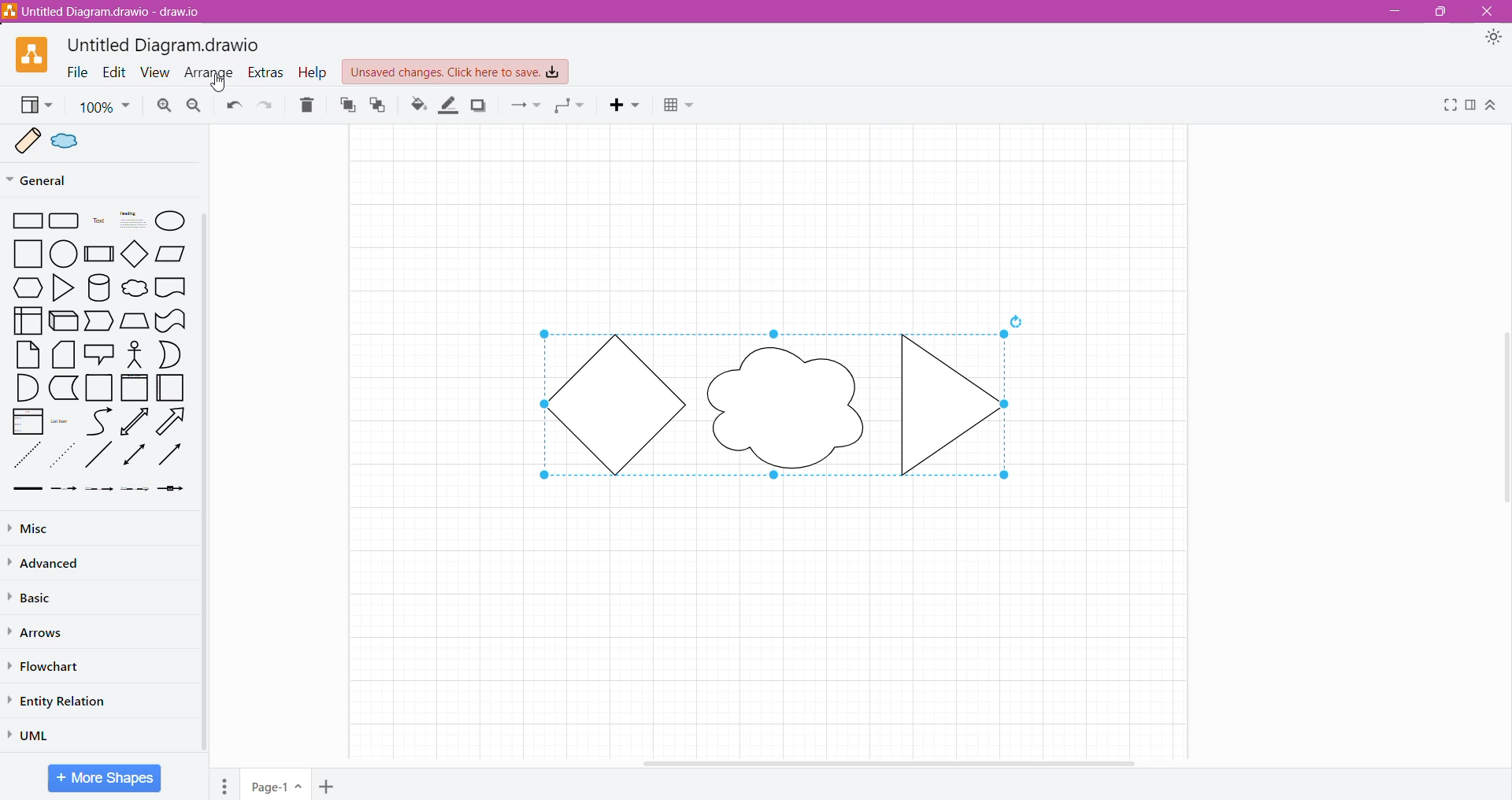  Describe the element at coordinates (36, 733) in the screenshot. I see `UML` at that location.